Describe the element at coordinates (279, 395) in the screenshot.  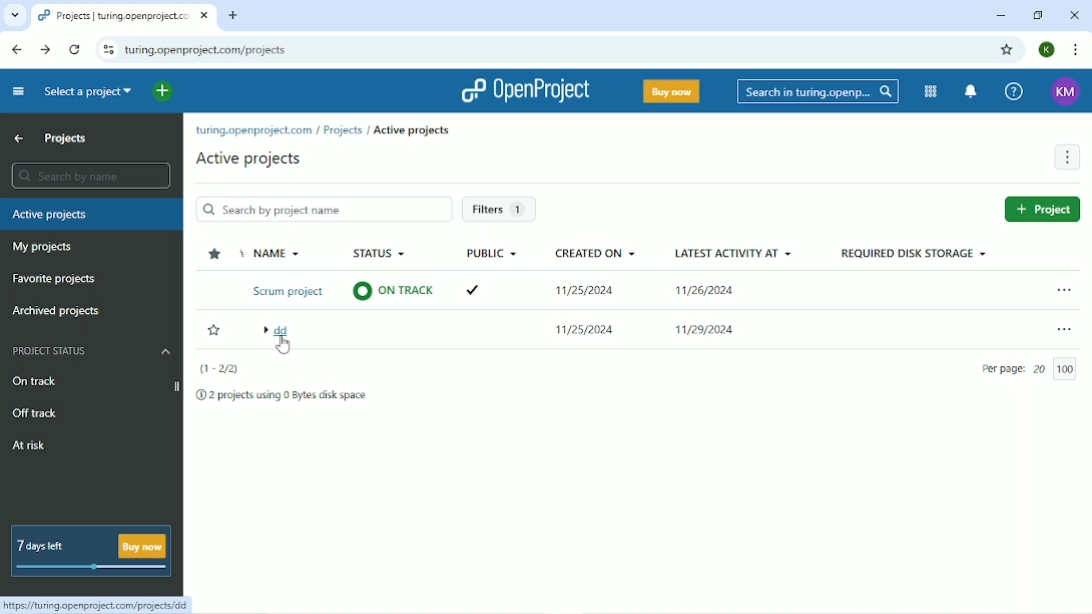
I see `2 projects using 0 Bytes disk space` at that location.